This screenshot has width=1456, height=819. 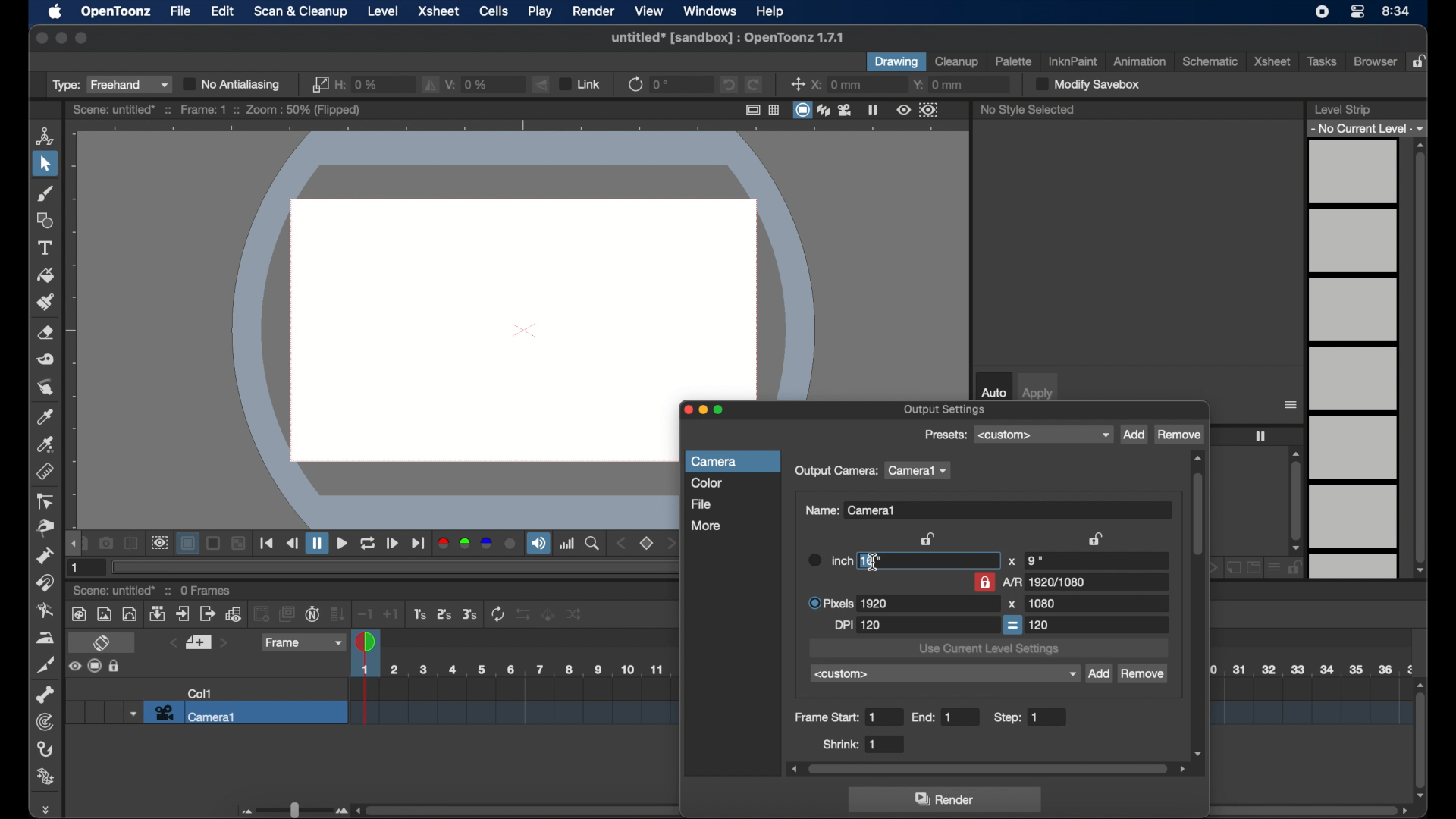 What do you see at coordinates (318, 544) in the screenshot?
I see `` at bounding box center [318, 544].